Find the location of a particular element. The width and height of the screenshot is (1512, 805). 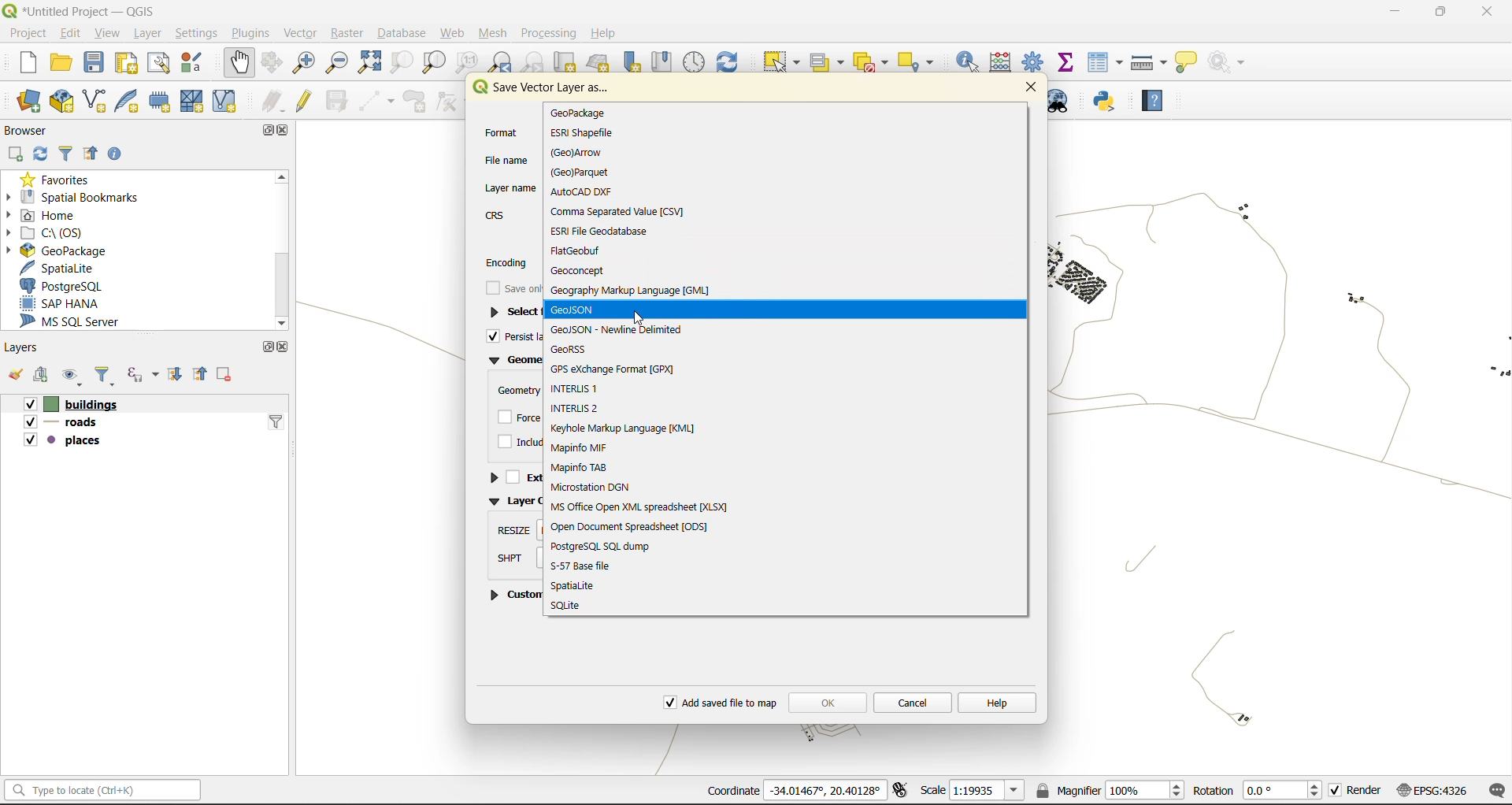

Layer name is located at coordinates (510, 185).